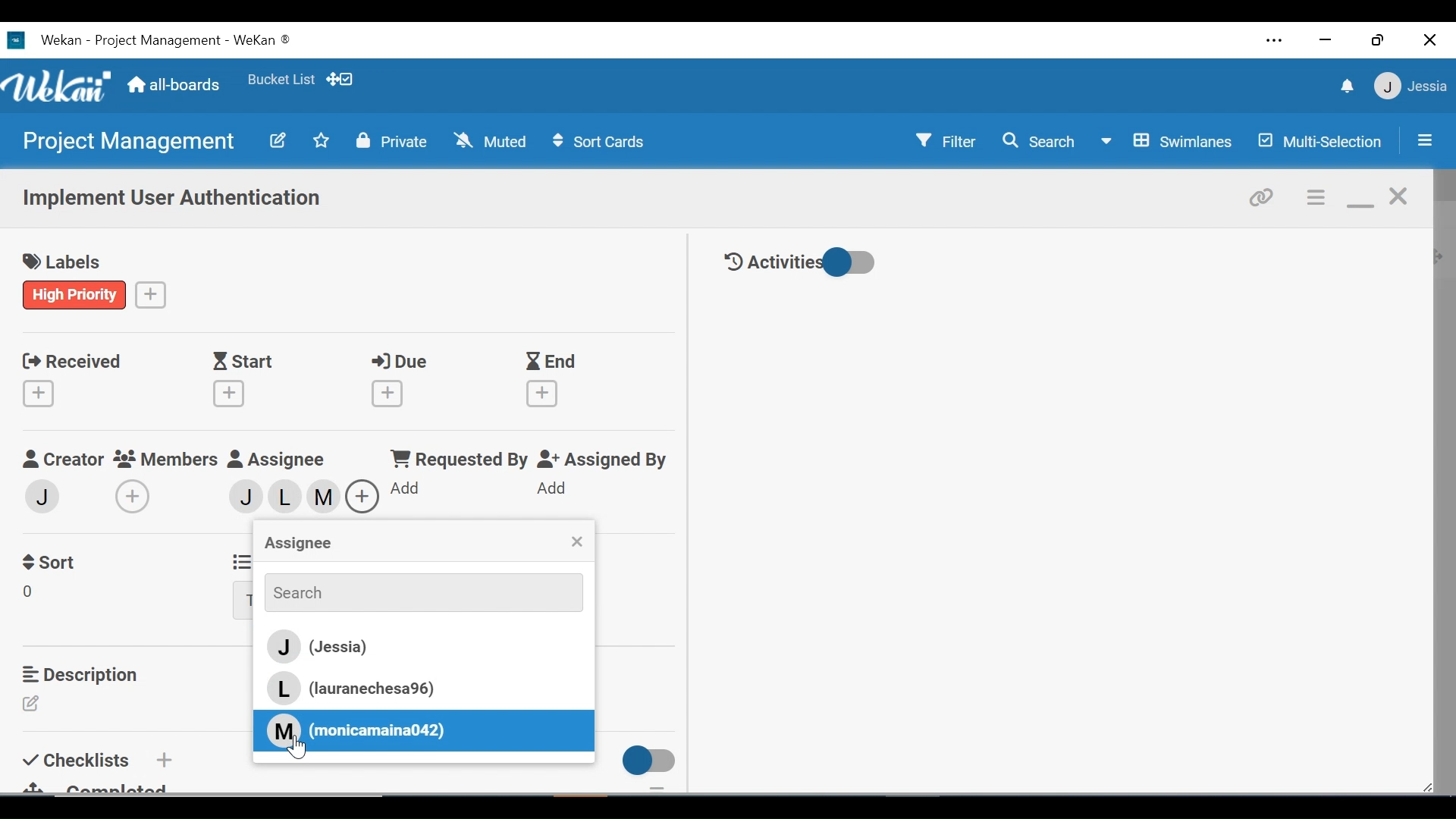  I want to click on Wekan logo, so click(60, 88).